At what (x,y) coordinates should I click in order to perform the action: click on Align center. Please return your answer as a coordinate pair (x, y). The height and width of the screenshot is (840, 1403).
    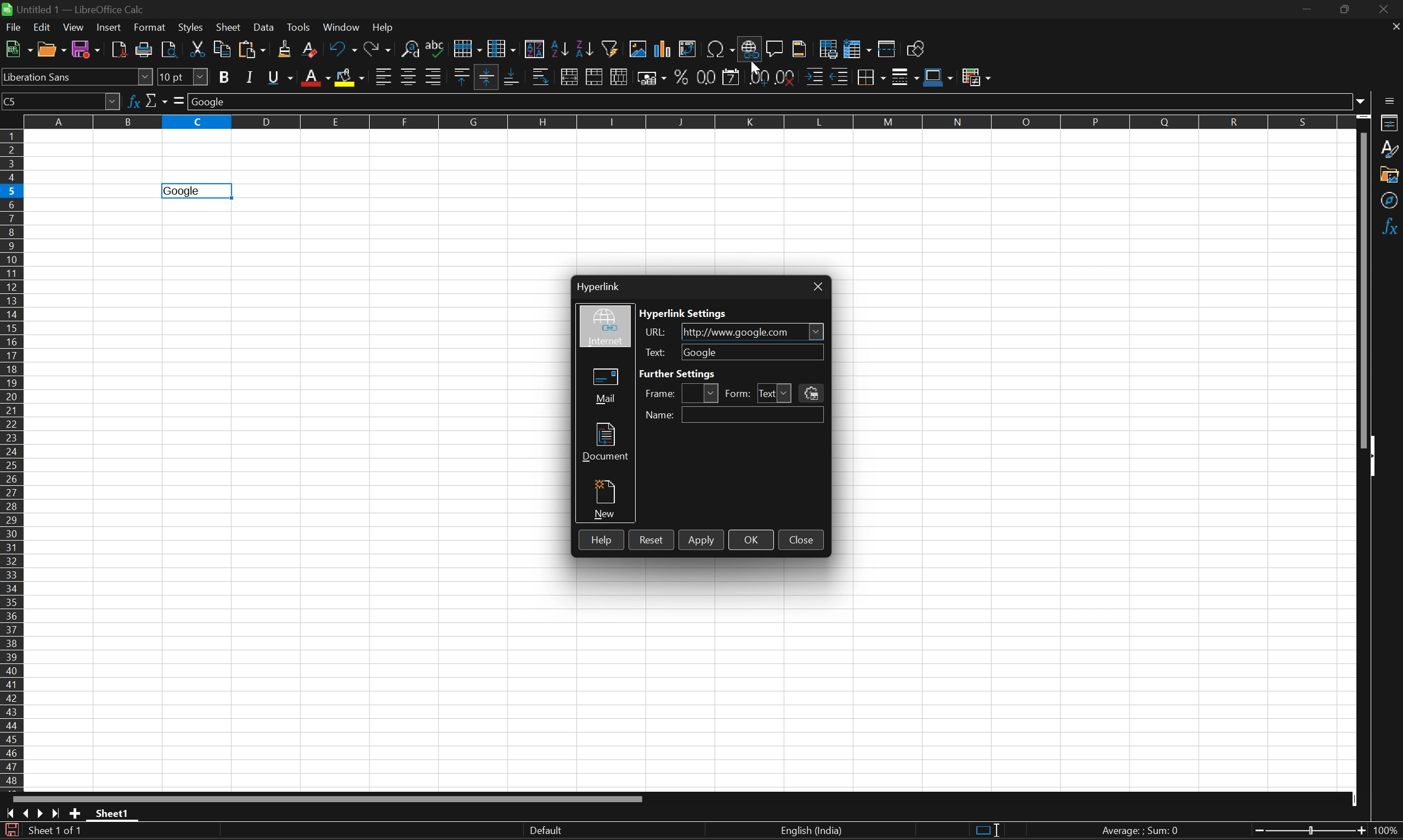
    Looking at the image, I should click on (411, 78).